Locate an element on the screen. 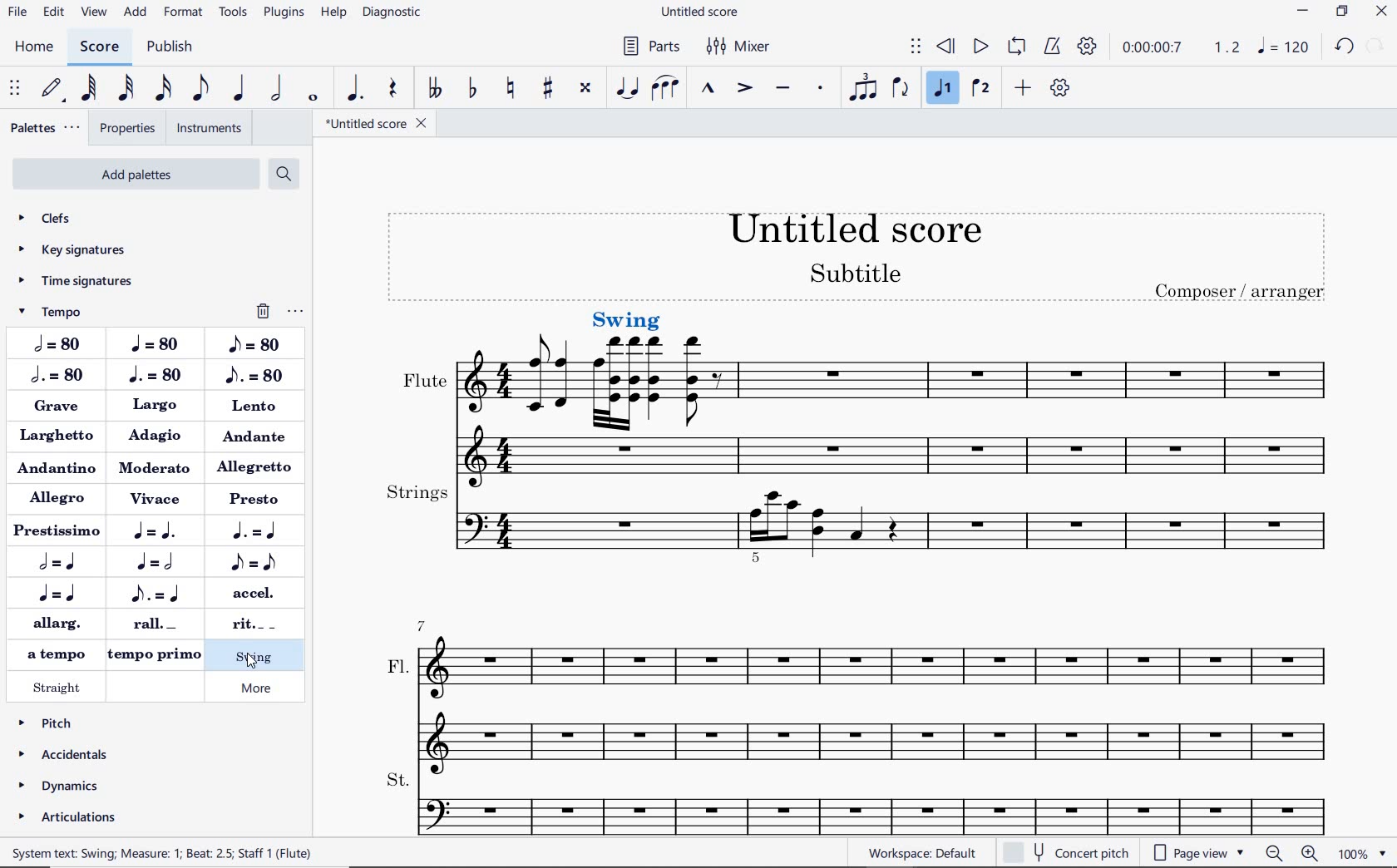 The image size is (1397, 868). TEMPO PRIMO is located at coordinates (154, 657).